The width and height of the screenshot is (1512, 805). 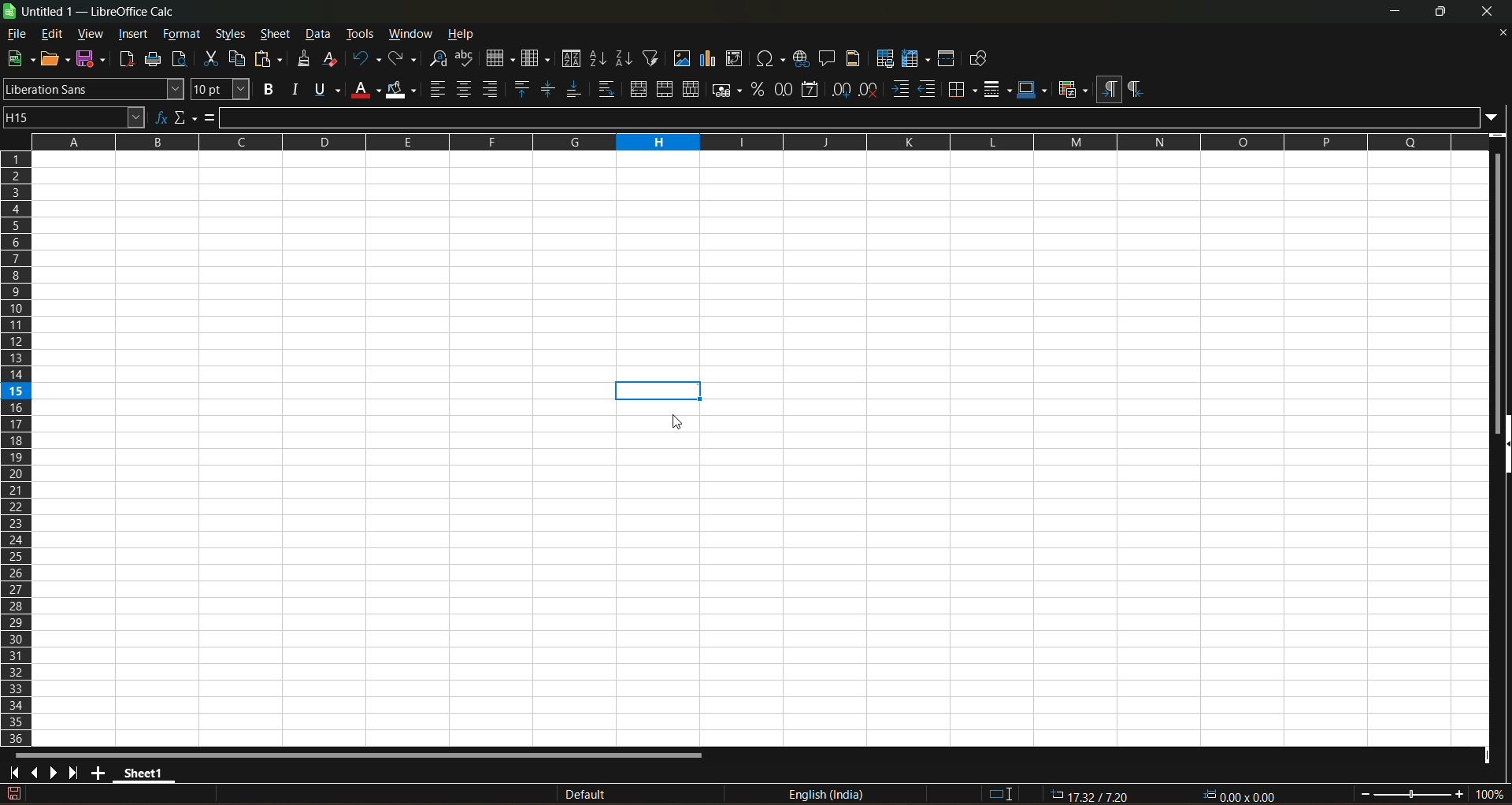 I want to click on conditional, so click(x=1073, y=88).